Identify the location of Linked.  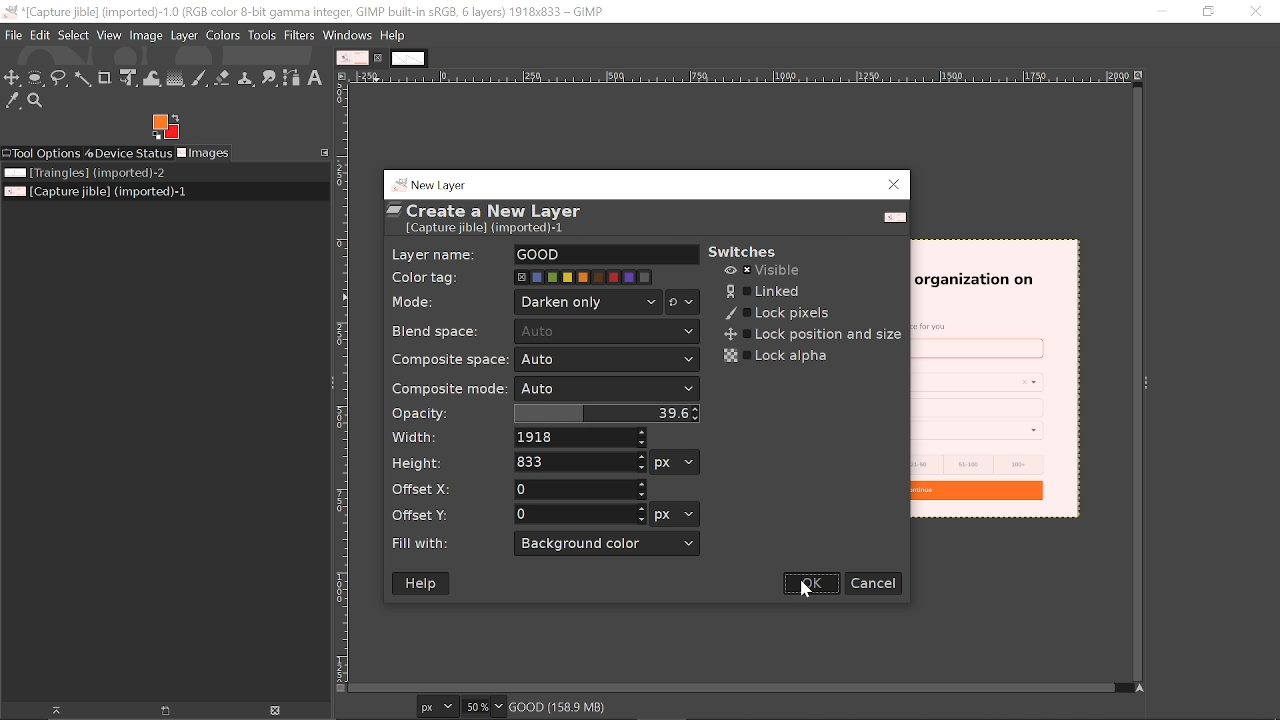
(765, 291).